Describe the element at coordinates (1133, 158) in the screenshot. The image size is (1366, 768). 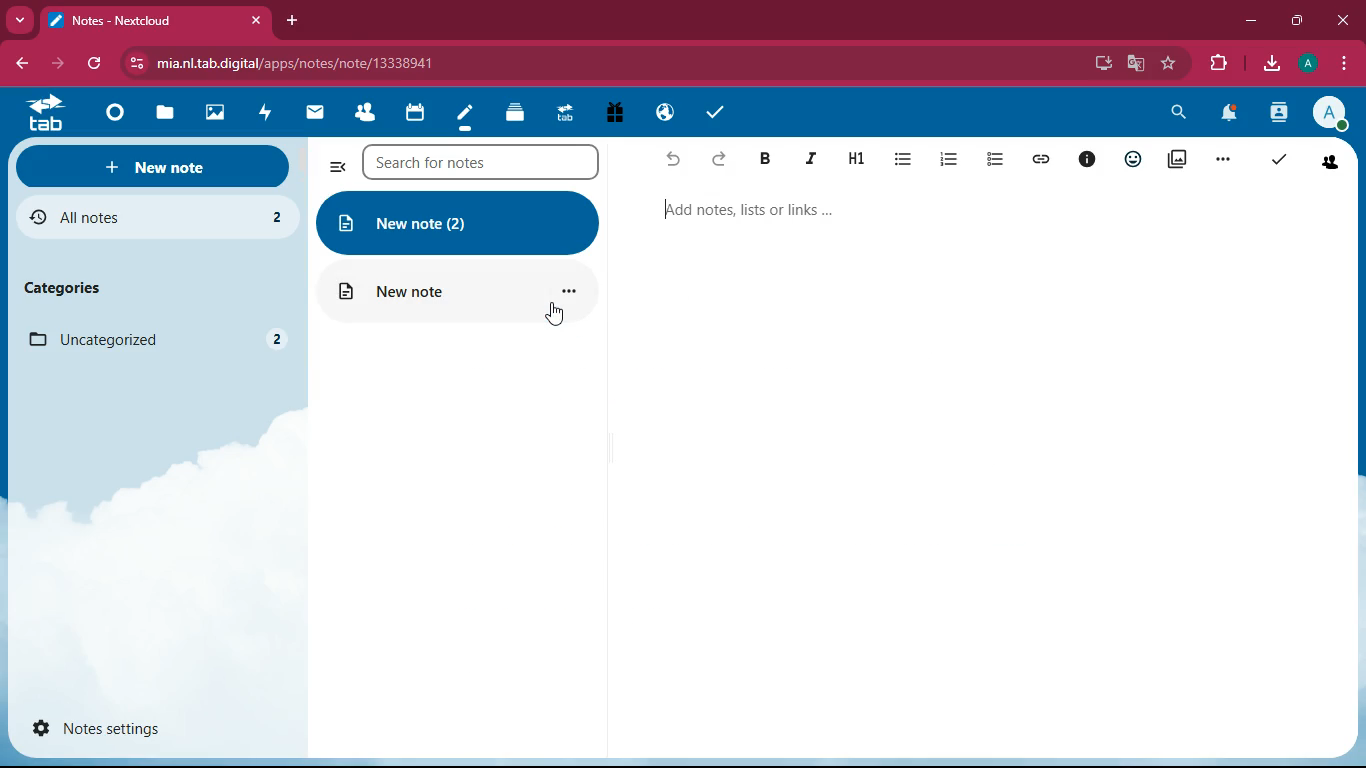
I see `reaction` at that location.